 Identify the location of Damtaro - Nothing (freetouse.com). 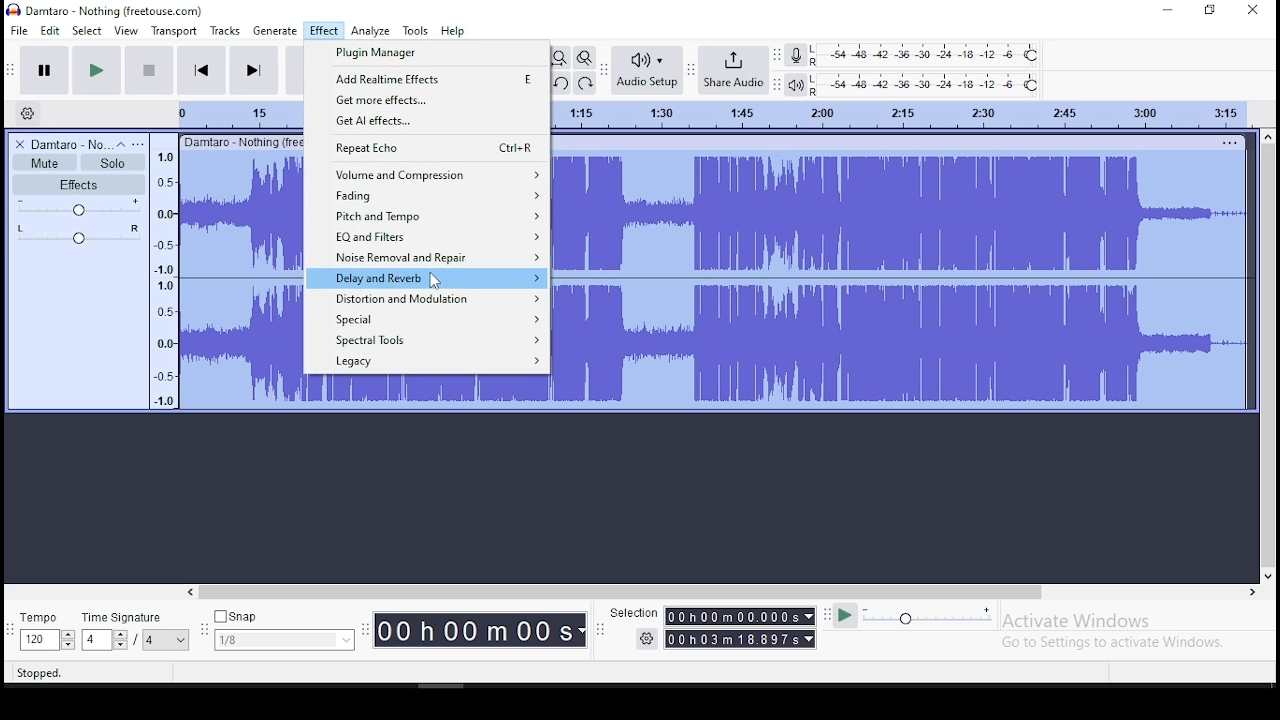
(104, 11).